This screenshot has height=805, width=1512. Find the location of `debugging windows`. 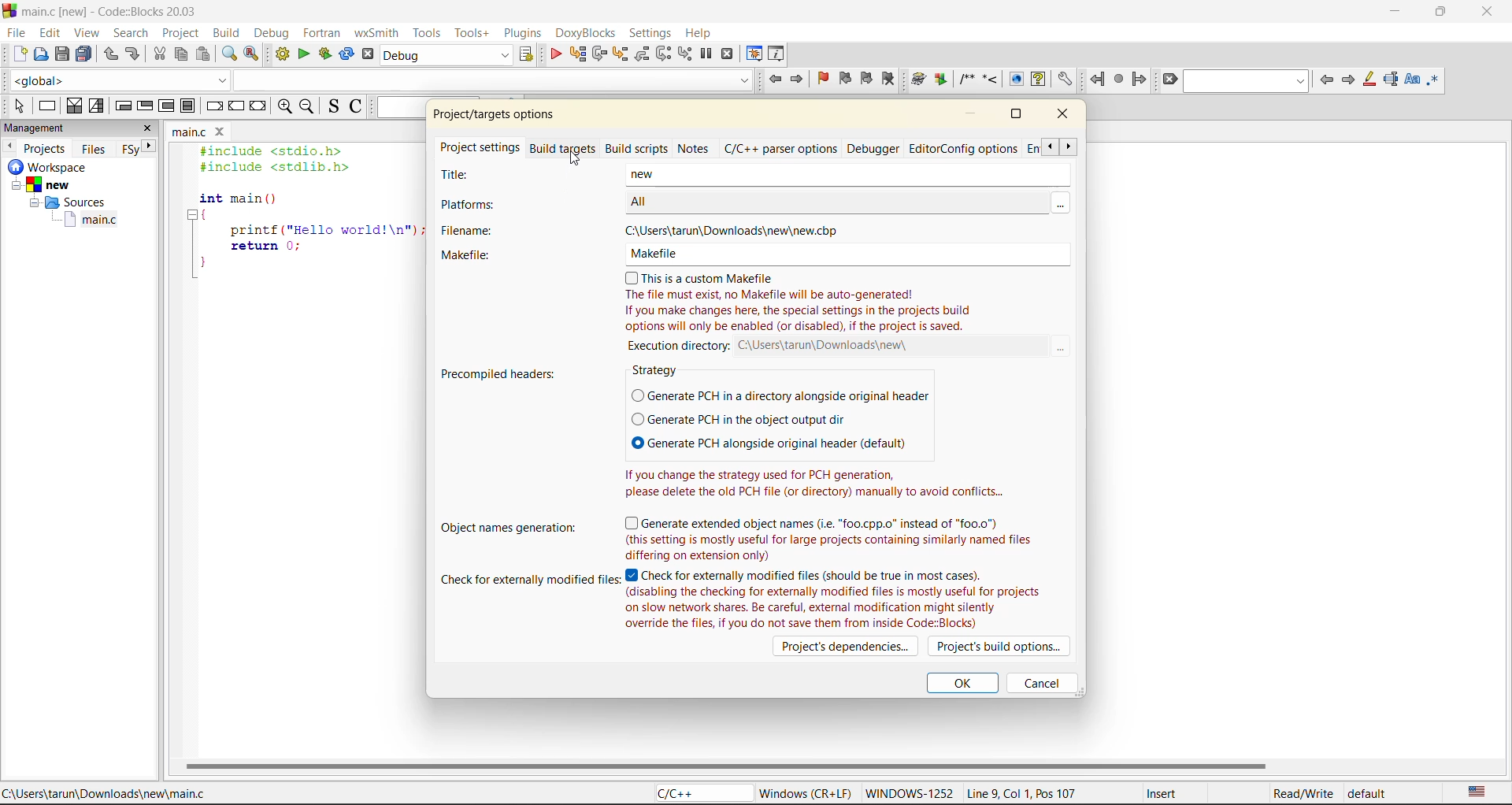

debugging windows is located at coordinates (754, 54).